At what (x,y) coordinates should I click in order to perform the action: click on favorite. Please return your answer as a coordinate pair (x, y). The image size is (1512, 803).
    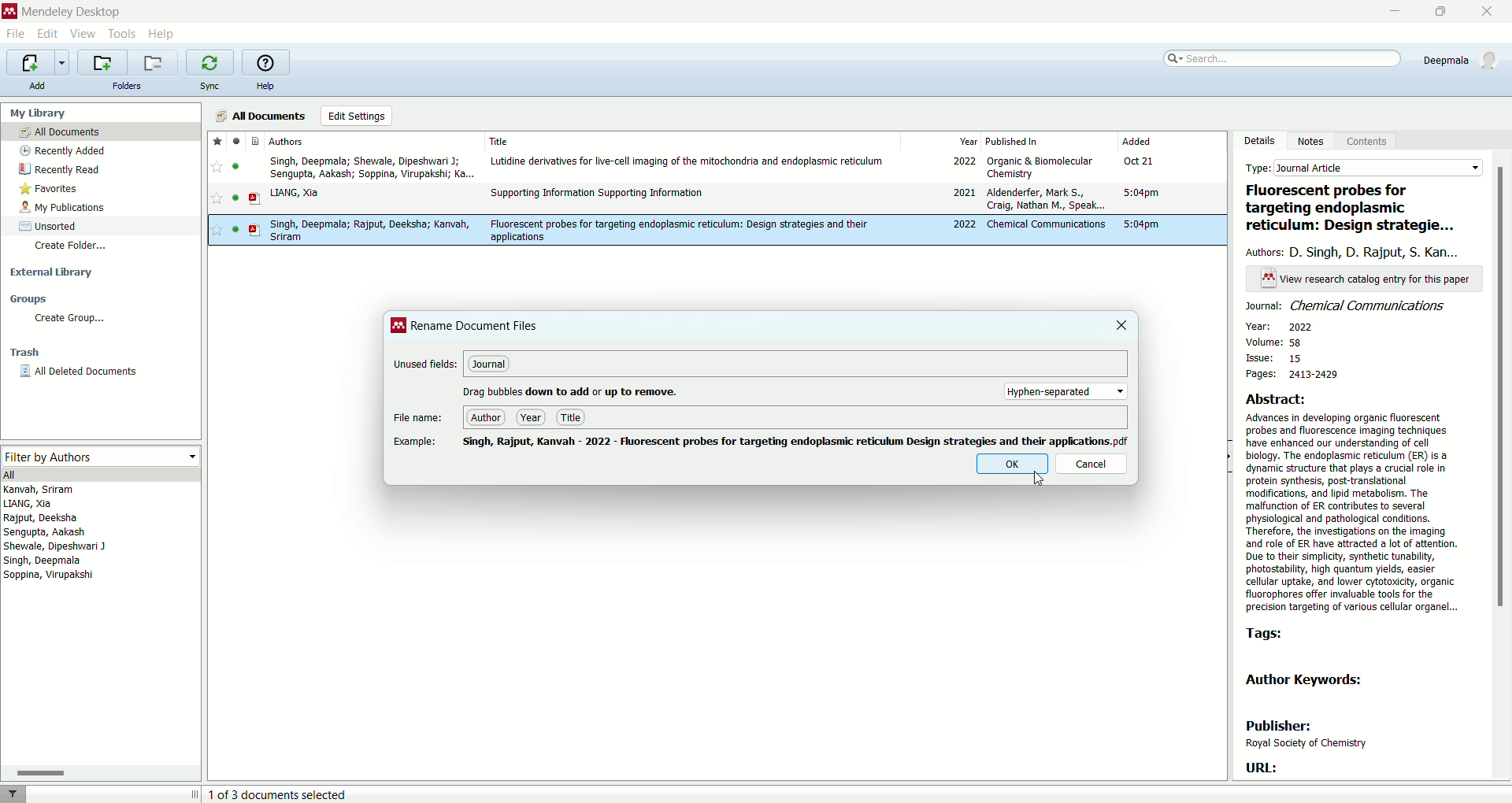
    Looking at the image, I should click on (217, 140).